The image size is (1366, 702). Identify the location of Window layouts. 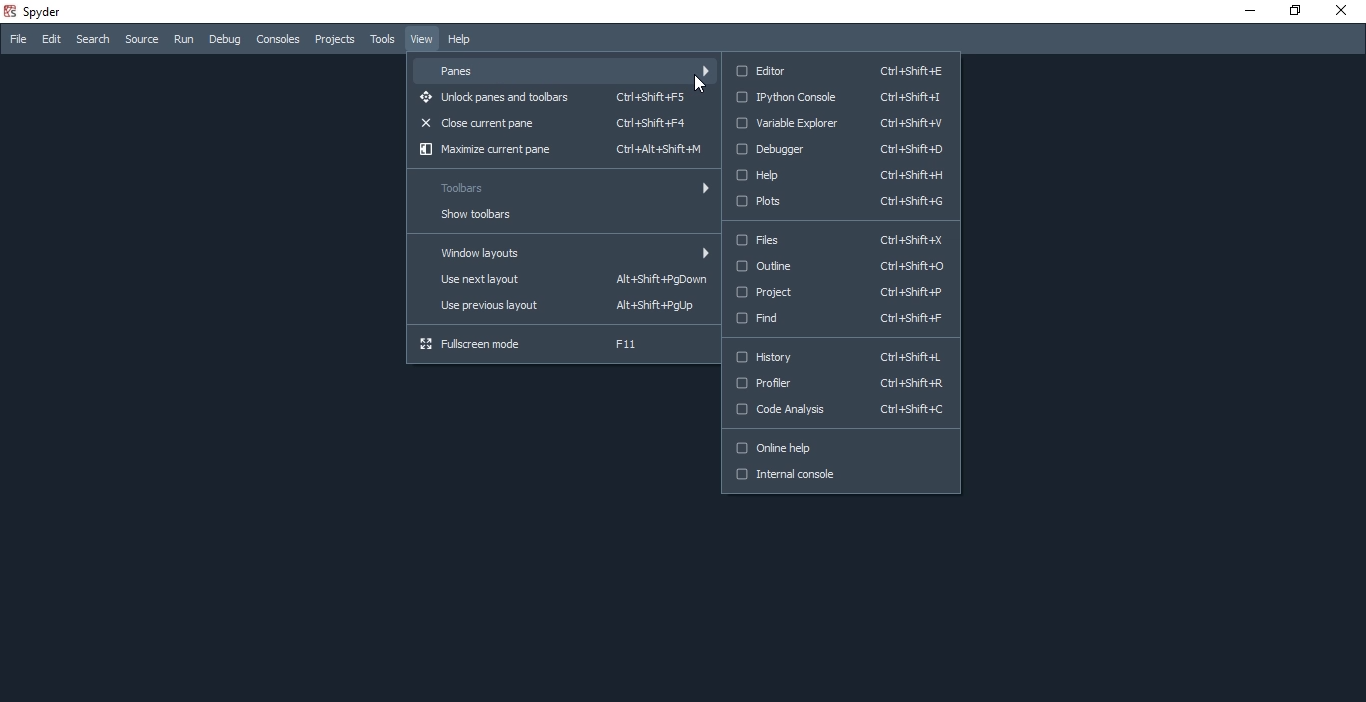
(560, 251).